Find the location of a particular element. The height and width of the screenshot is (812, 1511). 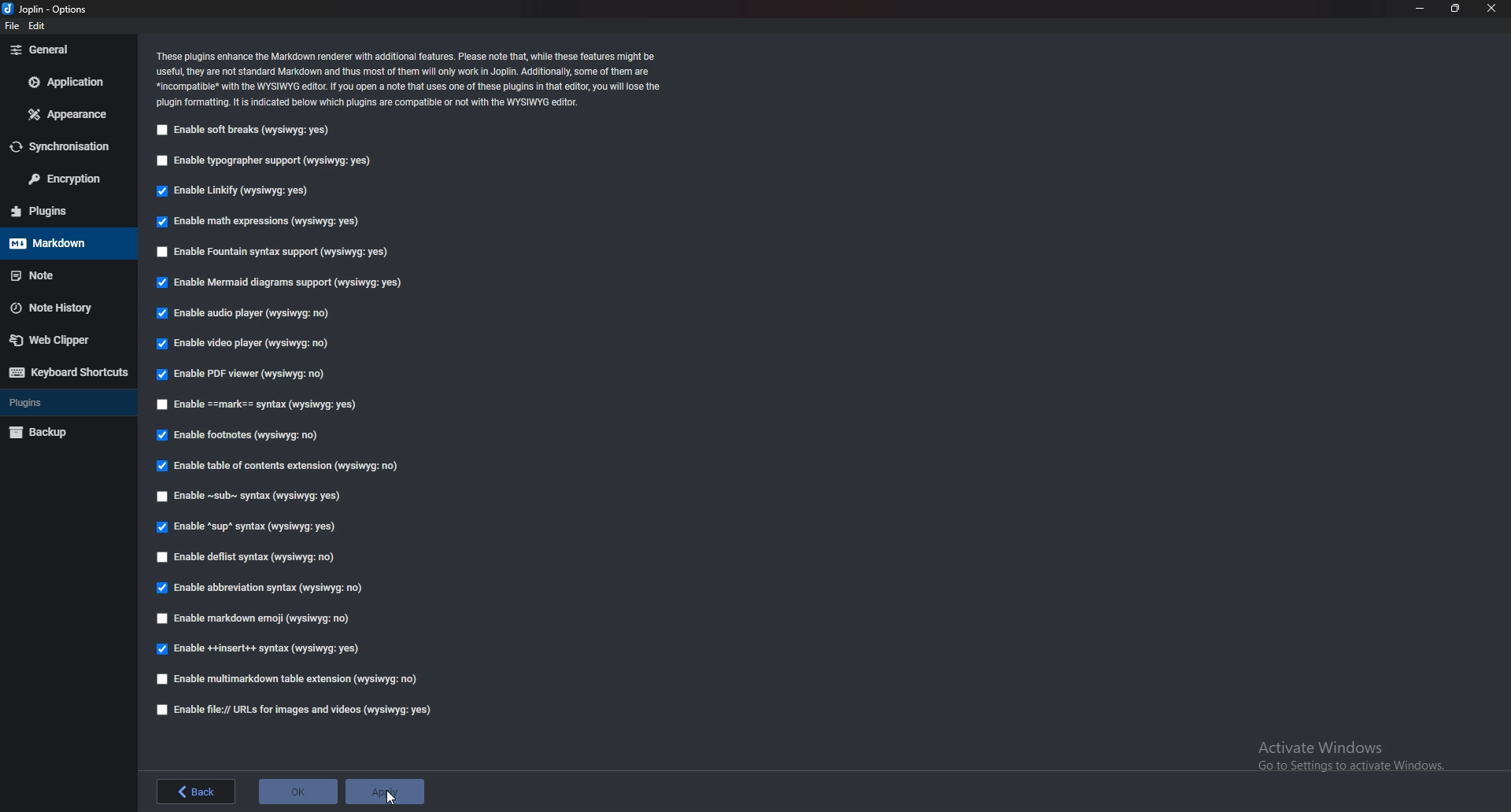

Application is located at coordinates (67, 83).